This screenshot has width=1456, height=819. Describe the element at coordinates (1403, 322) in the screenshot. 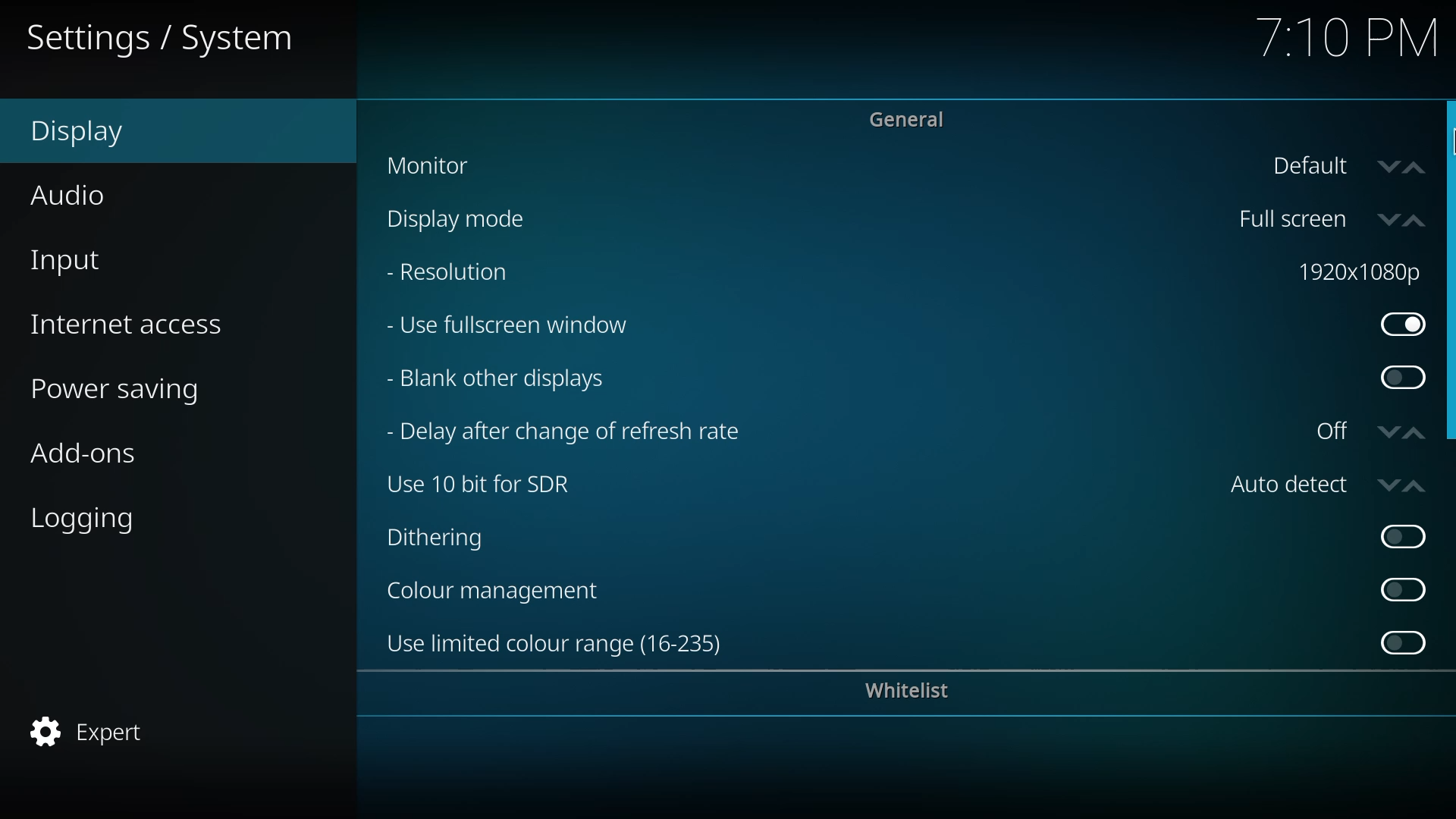

I see `enabled` at that location.